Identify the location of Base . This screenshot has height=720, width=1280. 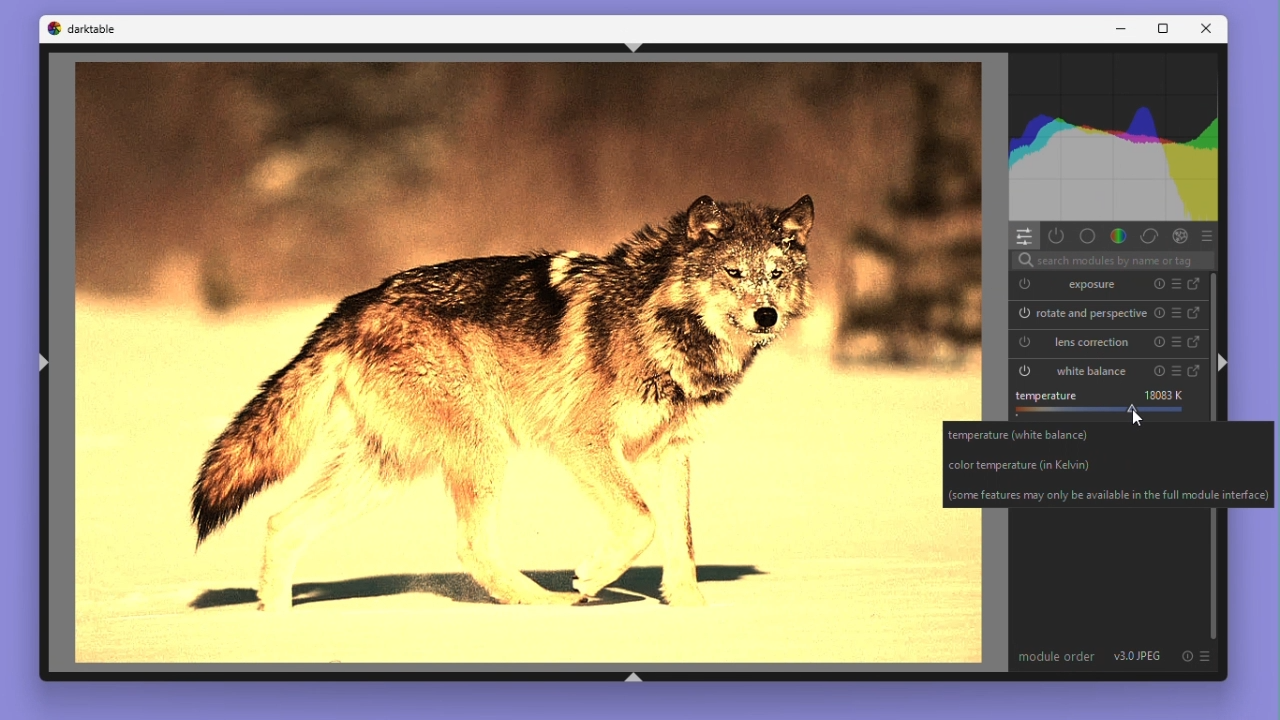
(1087, 236).